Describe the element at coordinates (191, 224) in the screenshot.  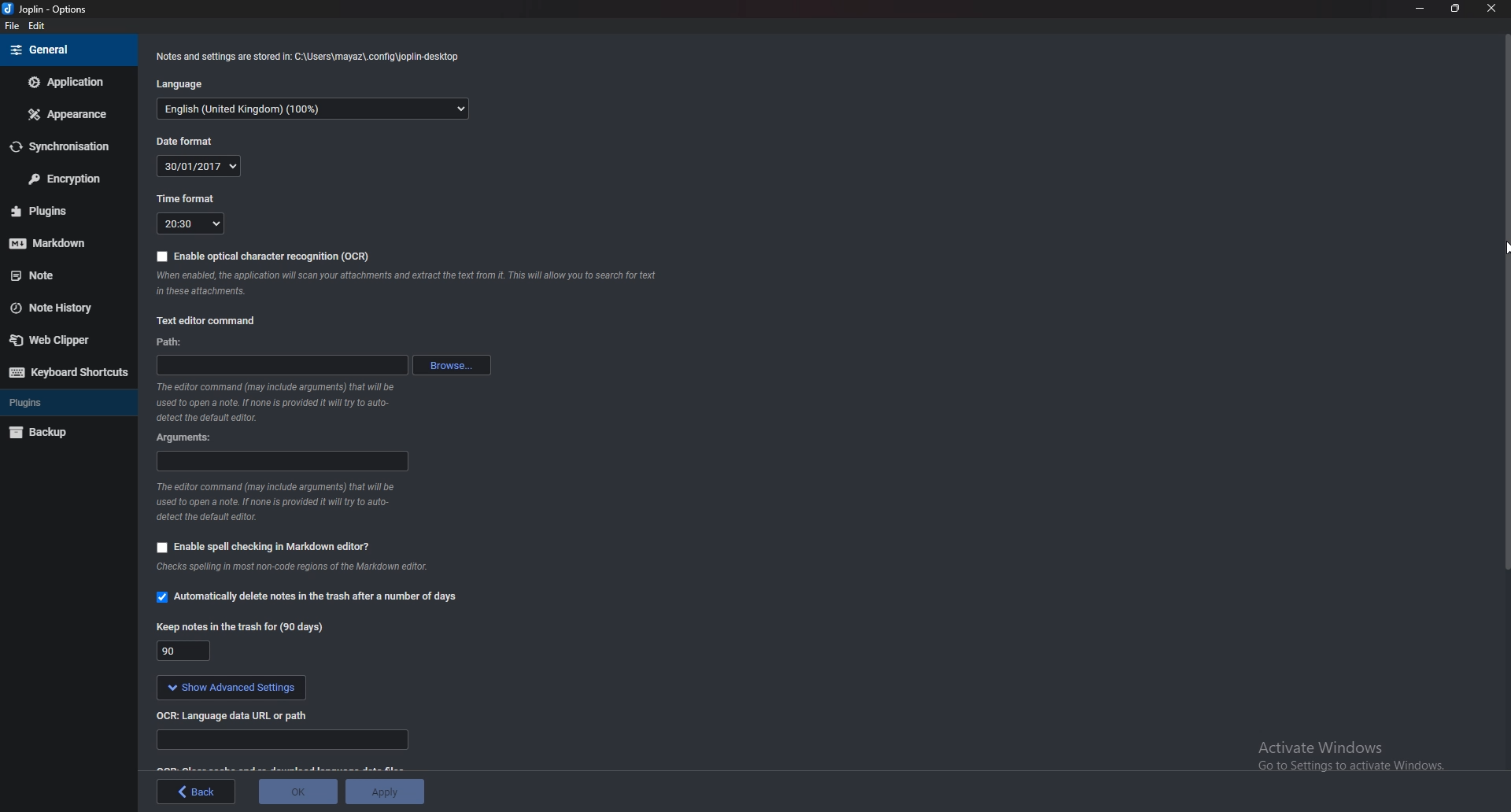
I see `20:30` at that location.